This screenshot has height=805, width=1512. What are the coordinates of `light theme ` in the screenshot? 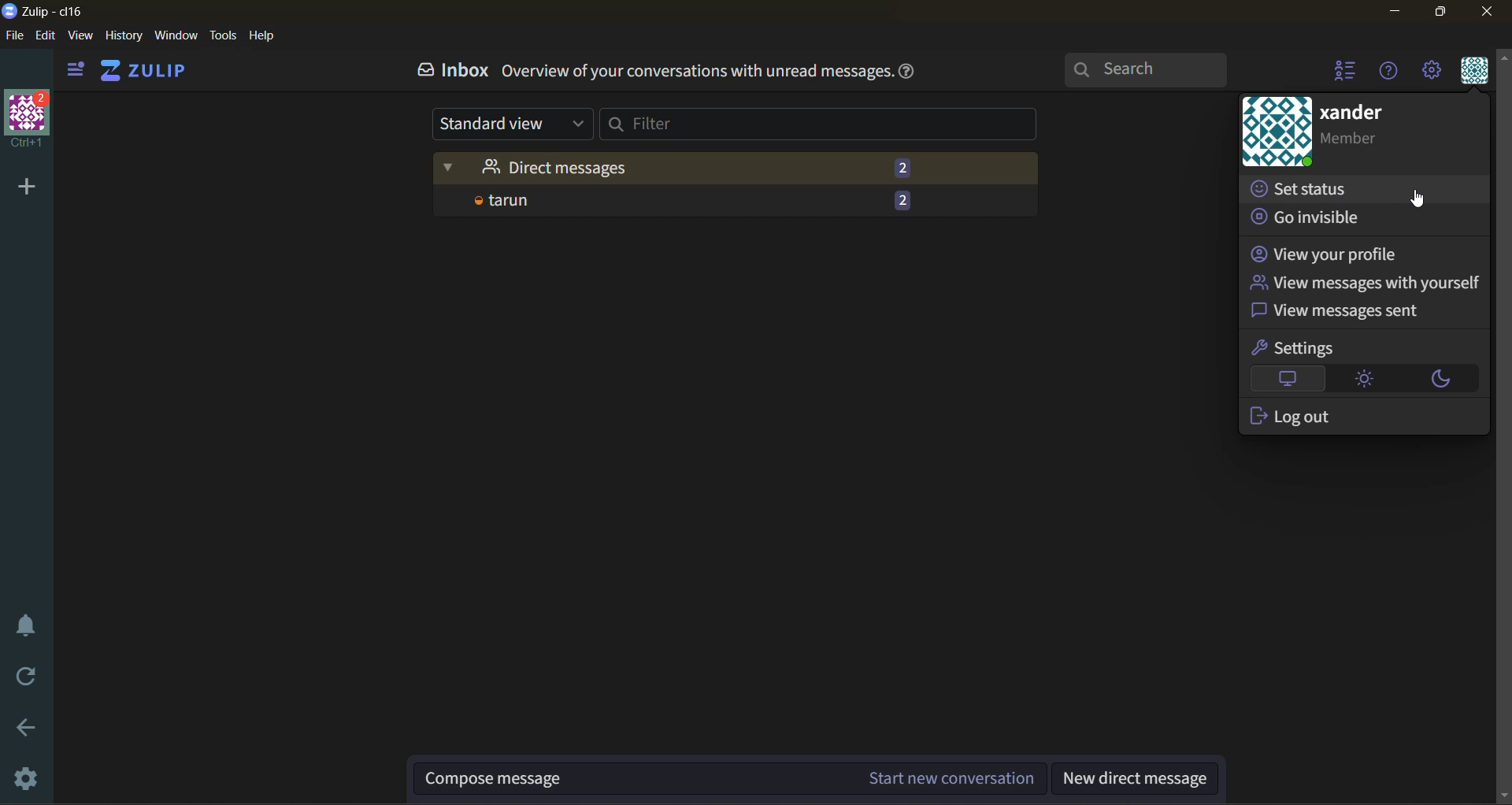 It's located at (1370, 382).